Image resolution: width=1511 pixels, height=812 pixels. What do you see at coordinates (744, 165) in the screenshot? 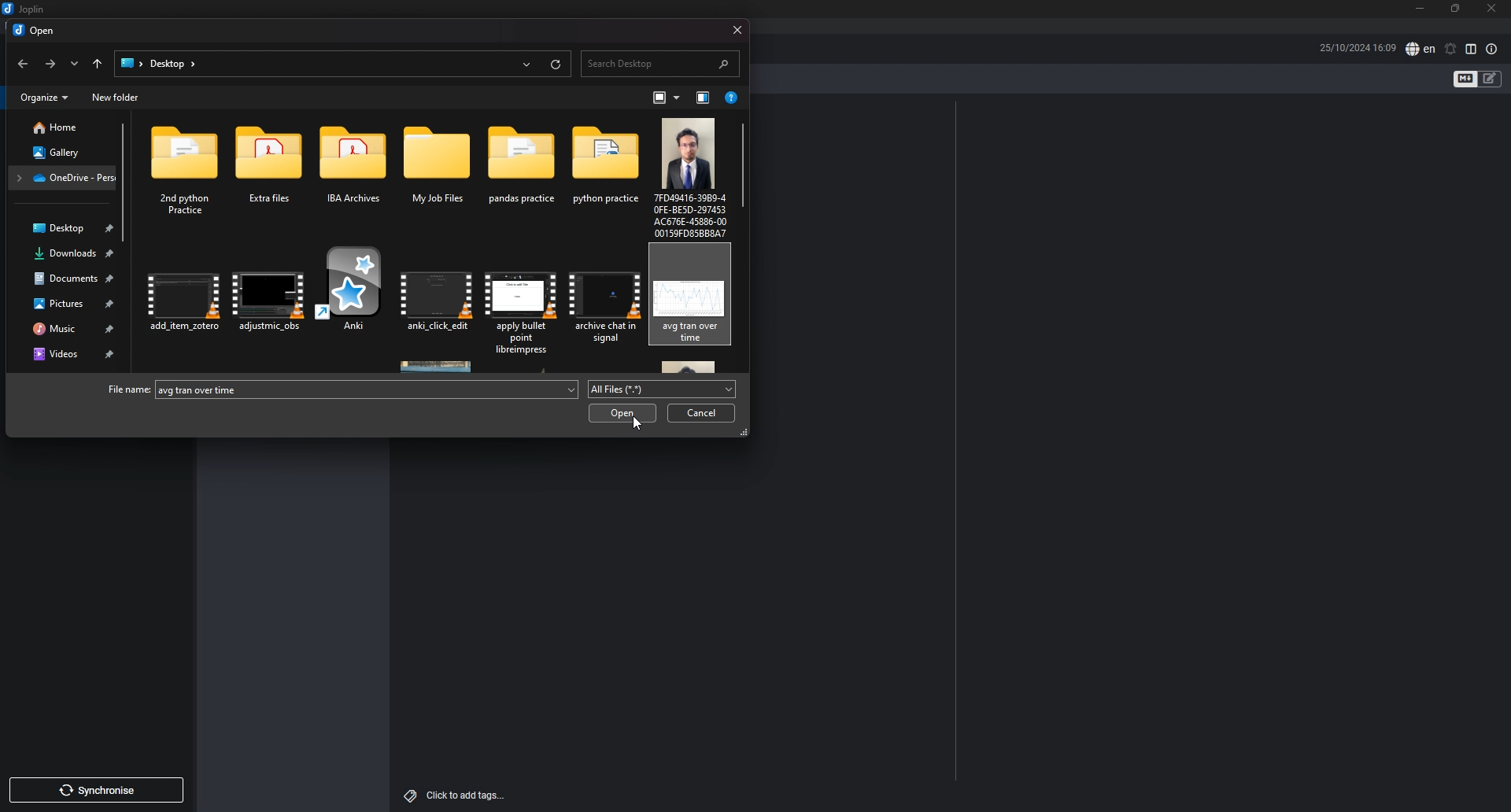
I see `scroll bar` at bounding box center [744, 165].